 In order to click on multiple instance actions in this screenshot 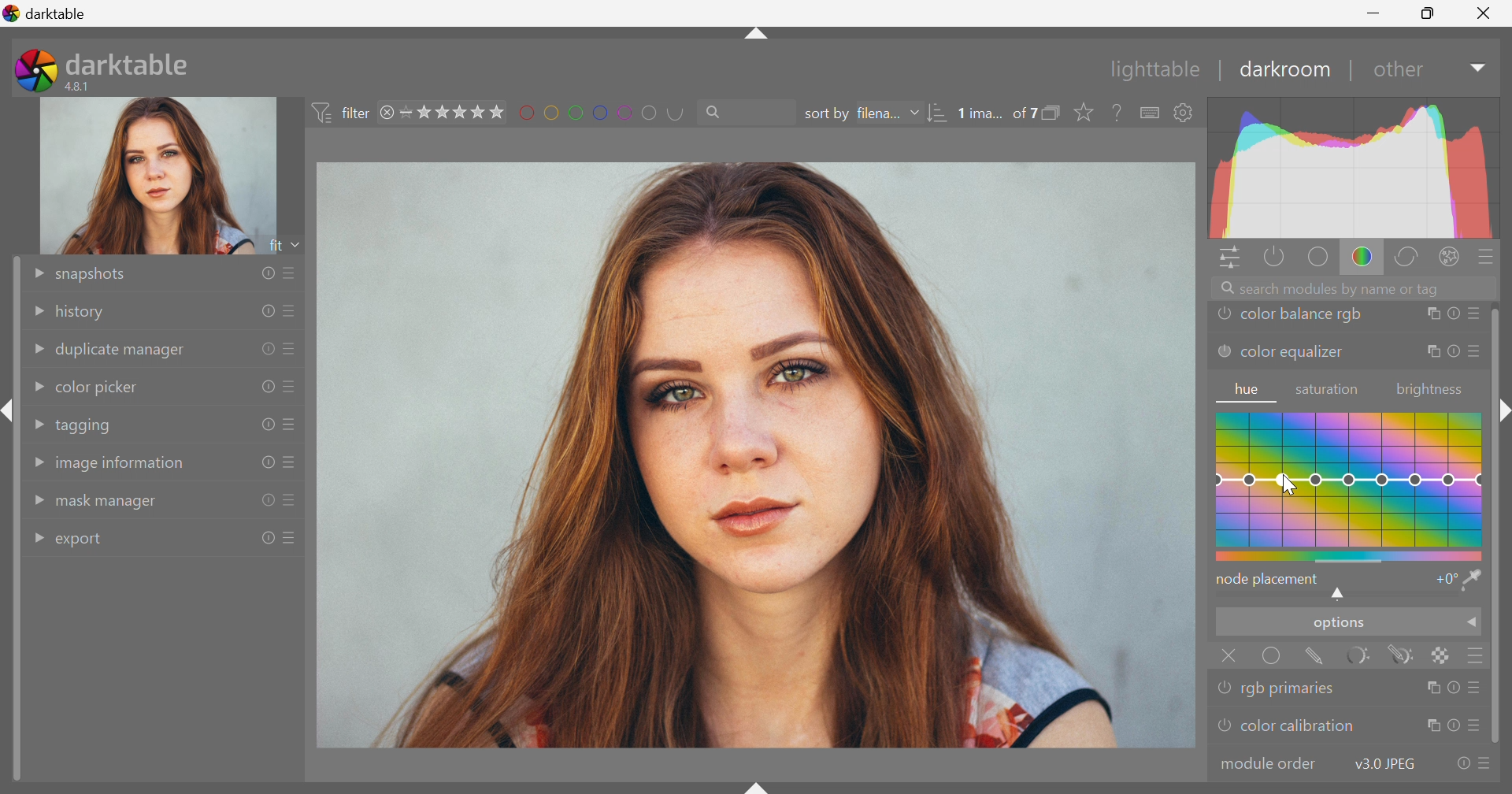, I will do `click(1431, 353)`.